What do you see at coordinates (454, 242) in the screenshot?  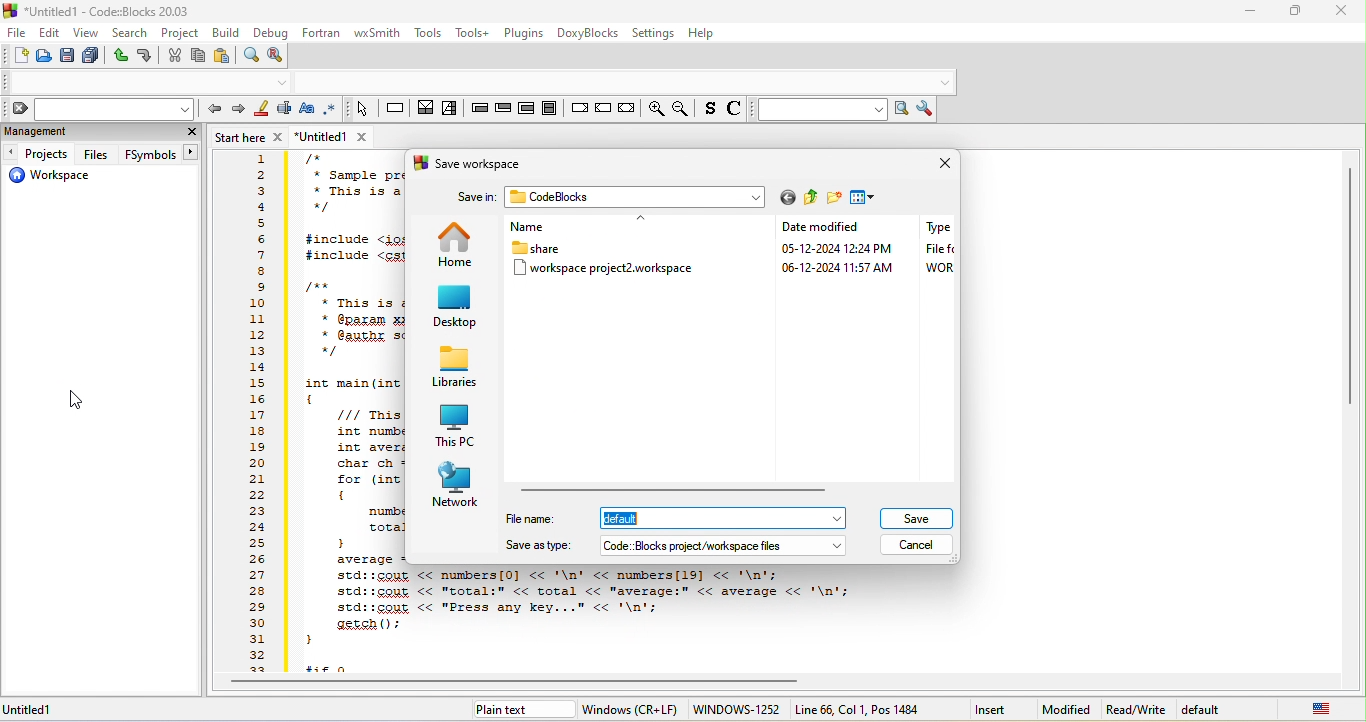 I see `home` at bounding box center [454, 242].